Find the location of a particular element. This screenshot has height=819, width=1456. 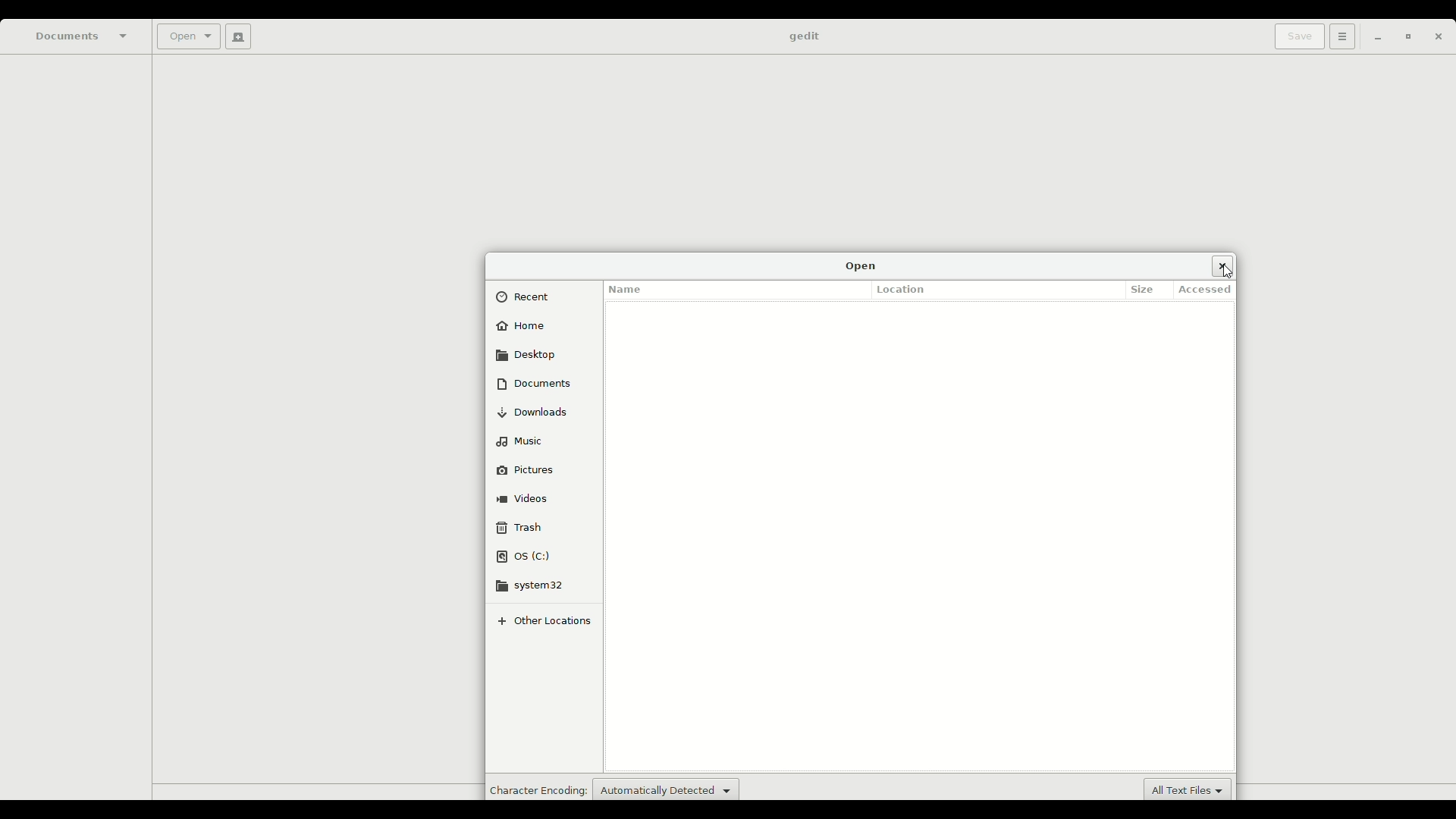

Documents is located at coordinates (83, 36).